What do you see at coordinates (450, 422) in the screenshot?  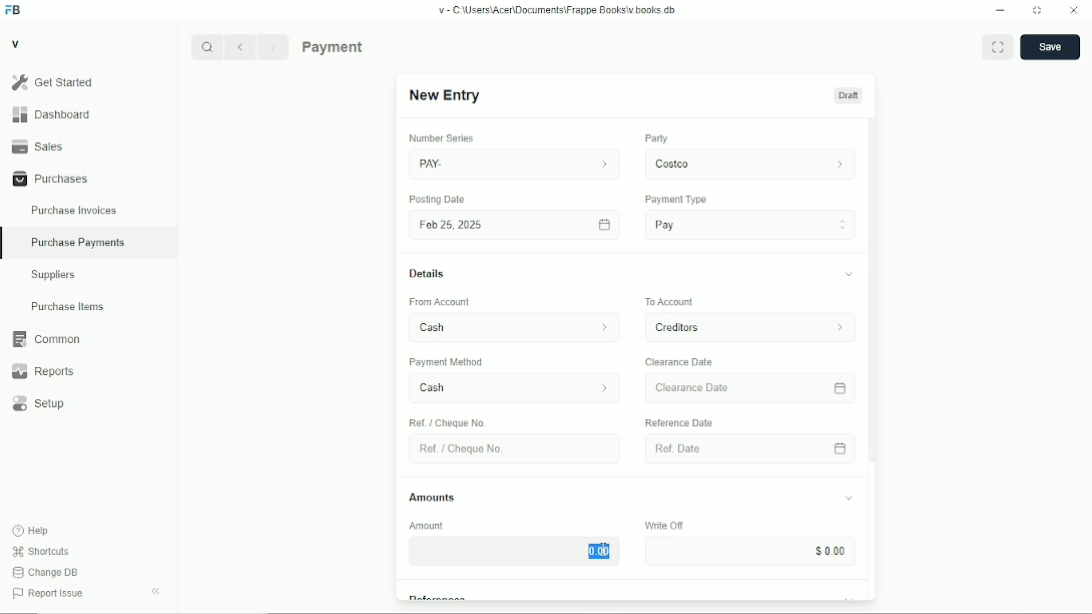 I see `Ref / Cheque No.` at bounding box center [450, 422].